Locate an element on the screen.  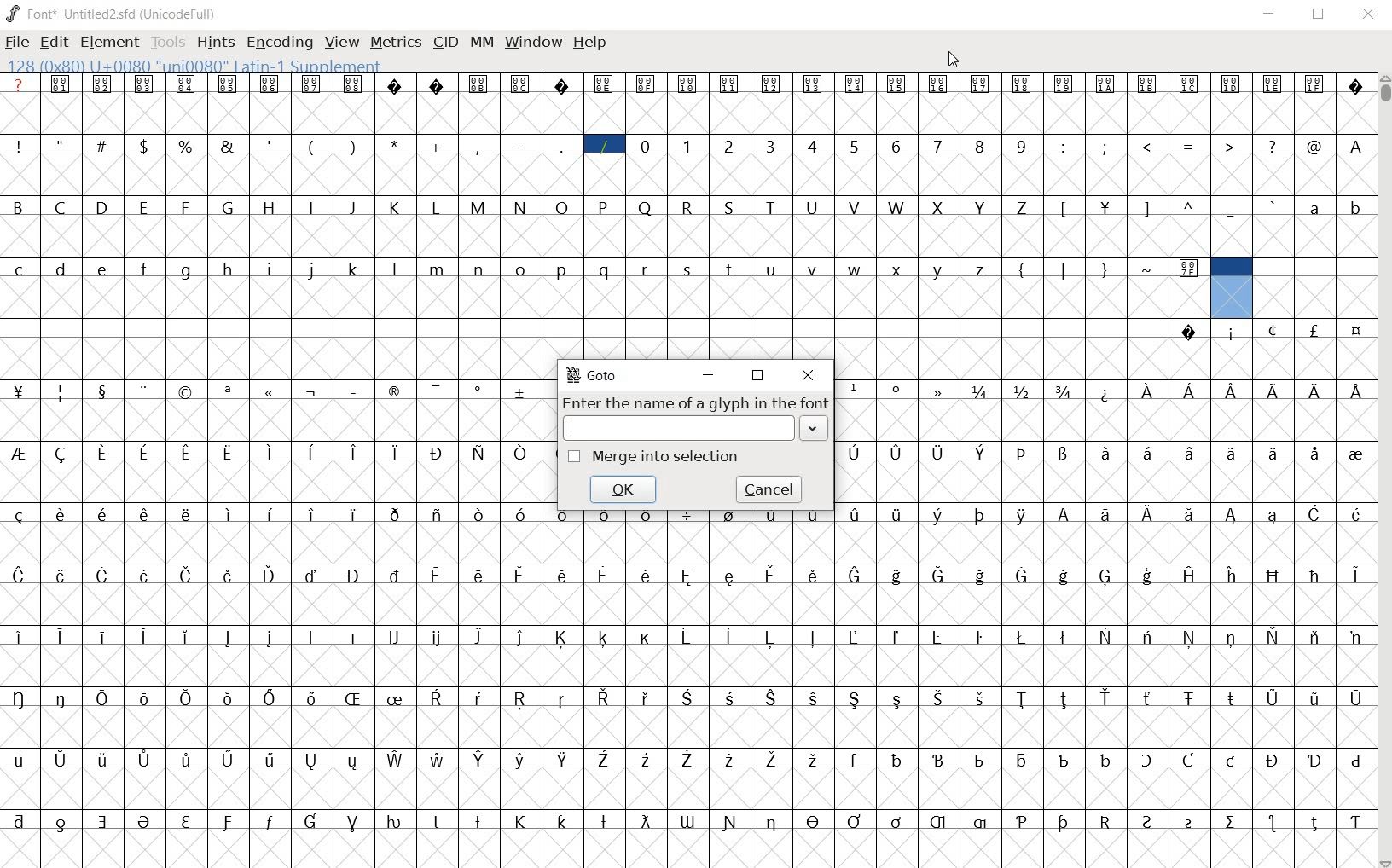
b is located at coordinates (1354, 207).